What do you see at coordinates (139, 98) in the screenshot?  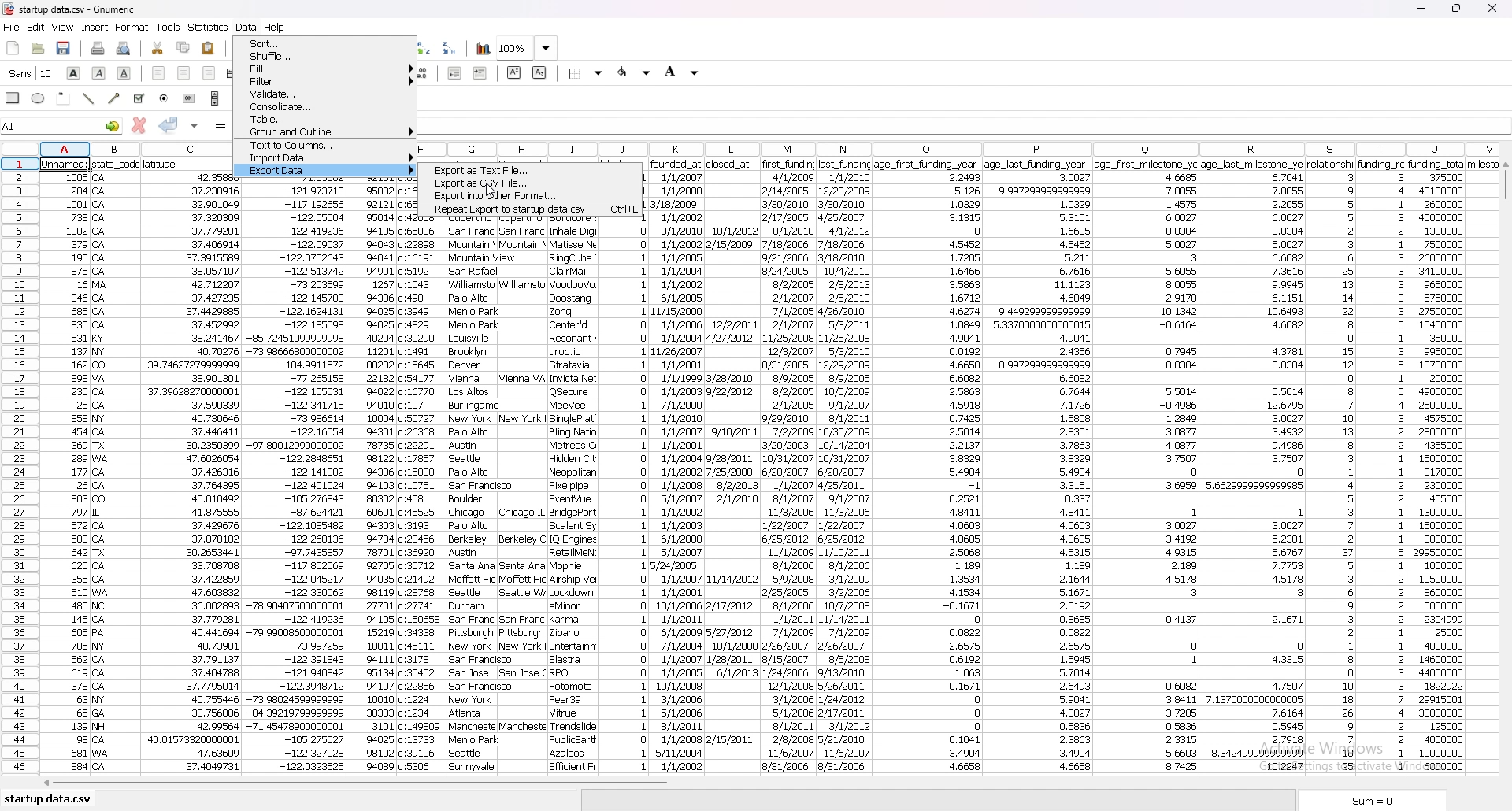 I see `tickbox` at bounding box center [139, 98].